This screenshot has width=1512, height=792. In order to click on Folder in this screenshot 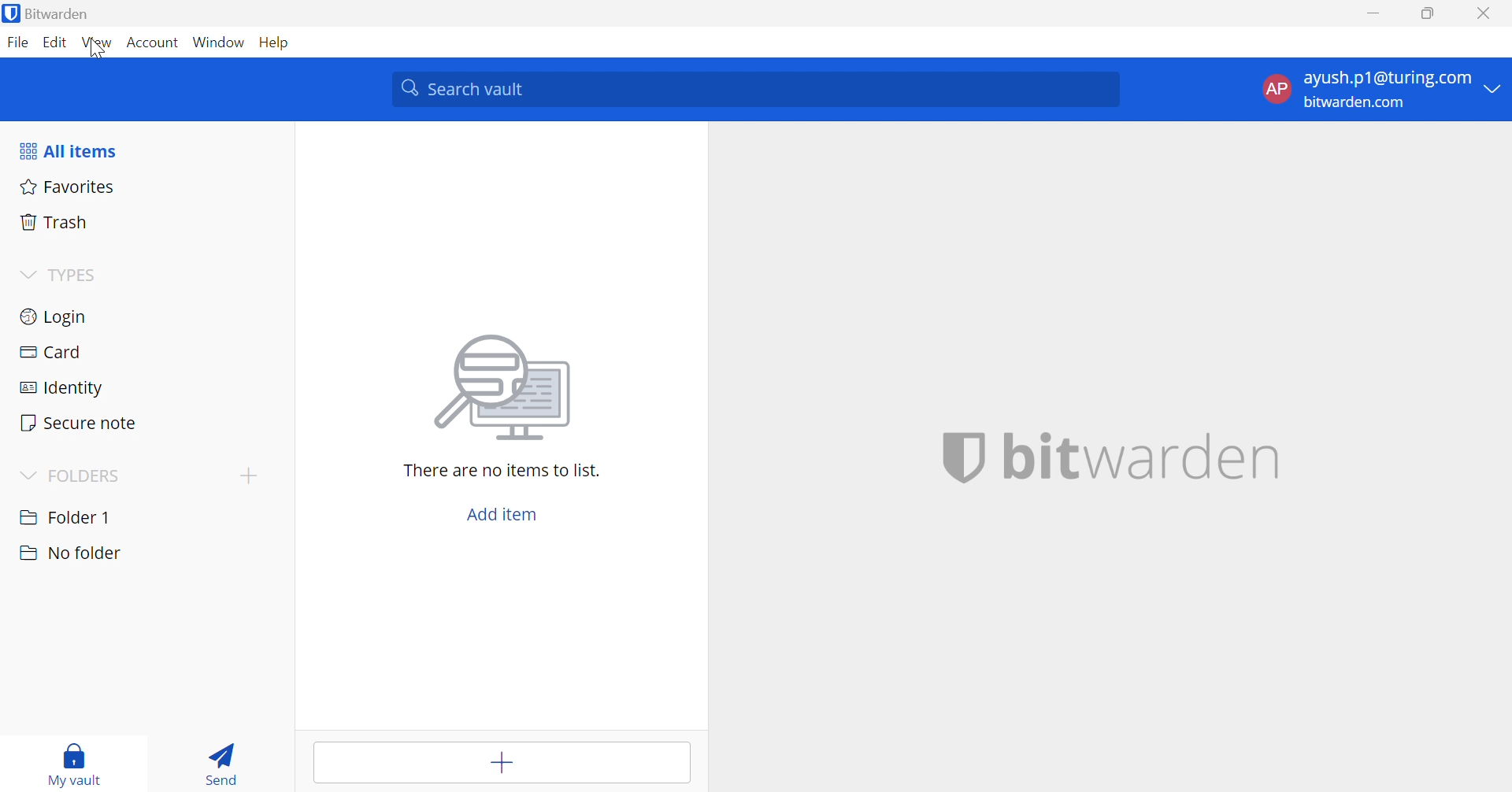, I will do `click(67, 516)`.